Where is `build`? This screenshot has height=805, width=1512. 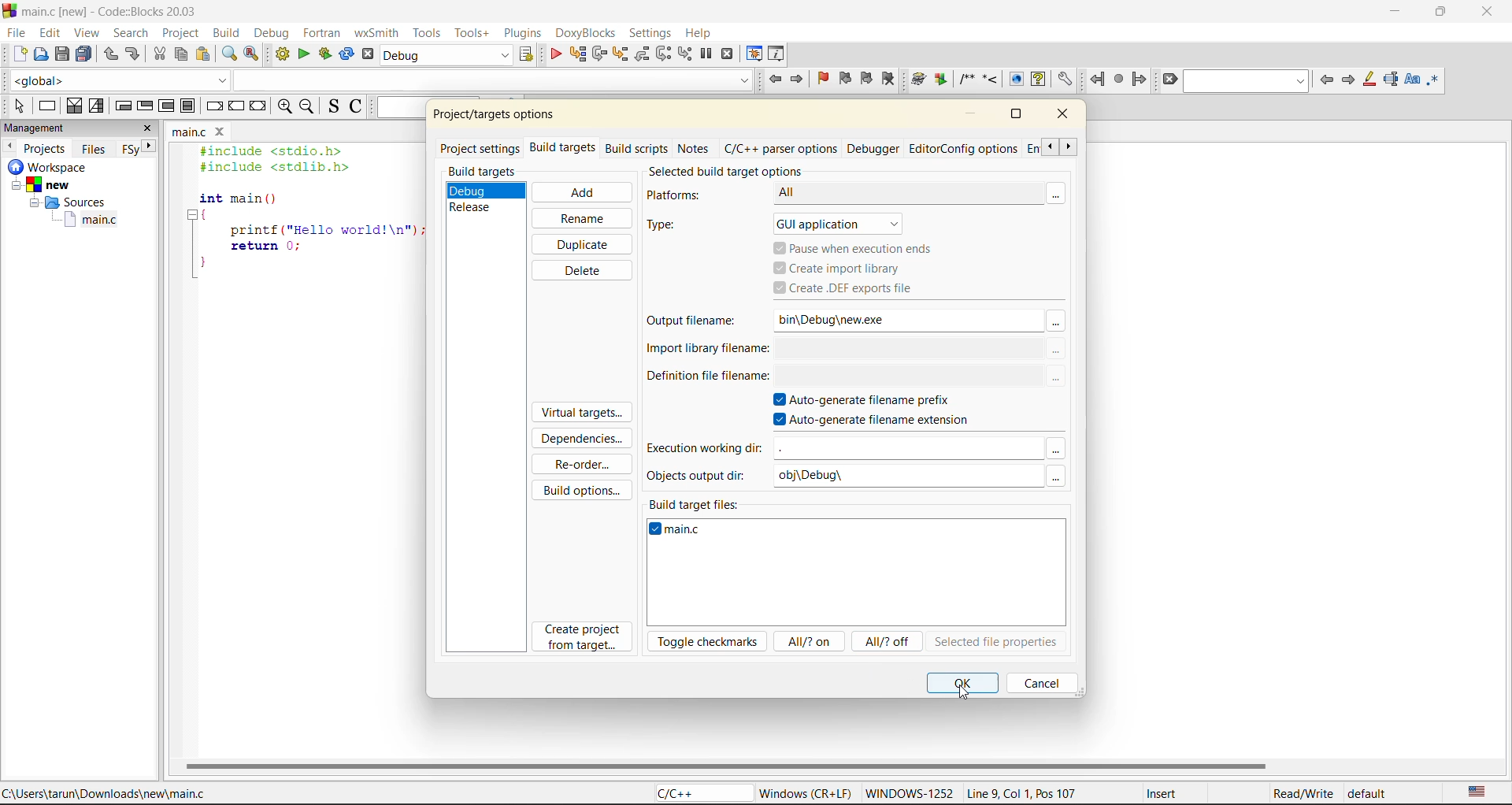
build is located at coordinates (229, 31).